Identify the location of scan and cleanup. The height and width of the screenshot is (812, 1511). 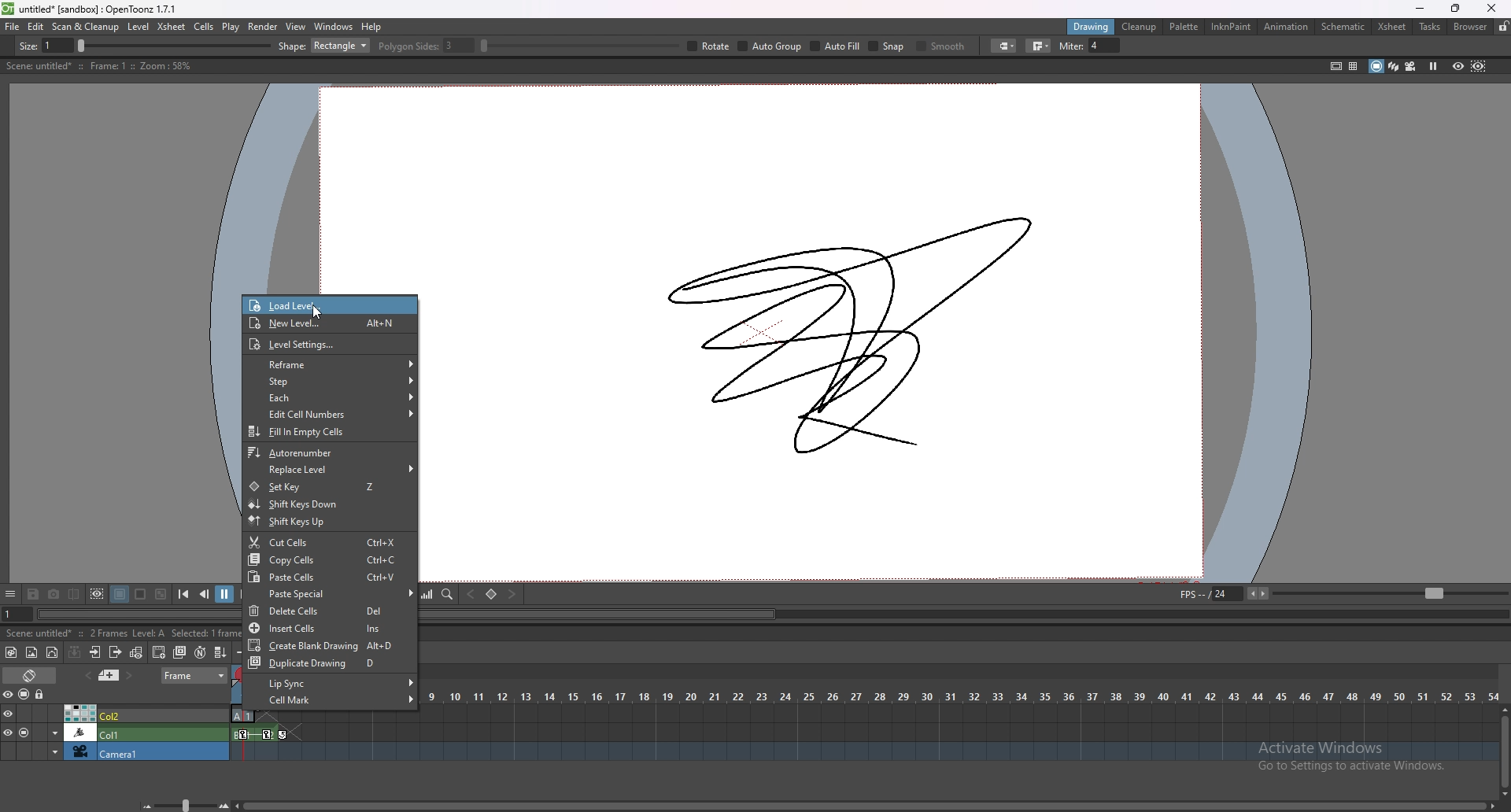
(85, 27).